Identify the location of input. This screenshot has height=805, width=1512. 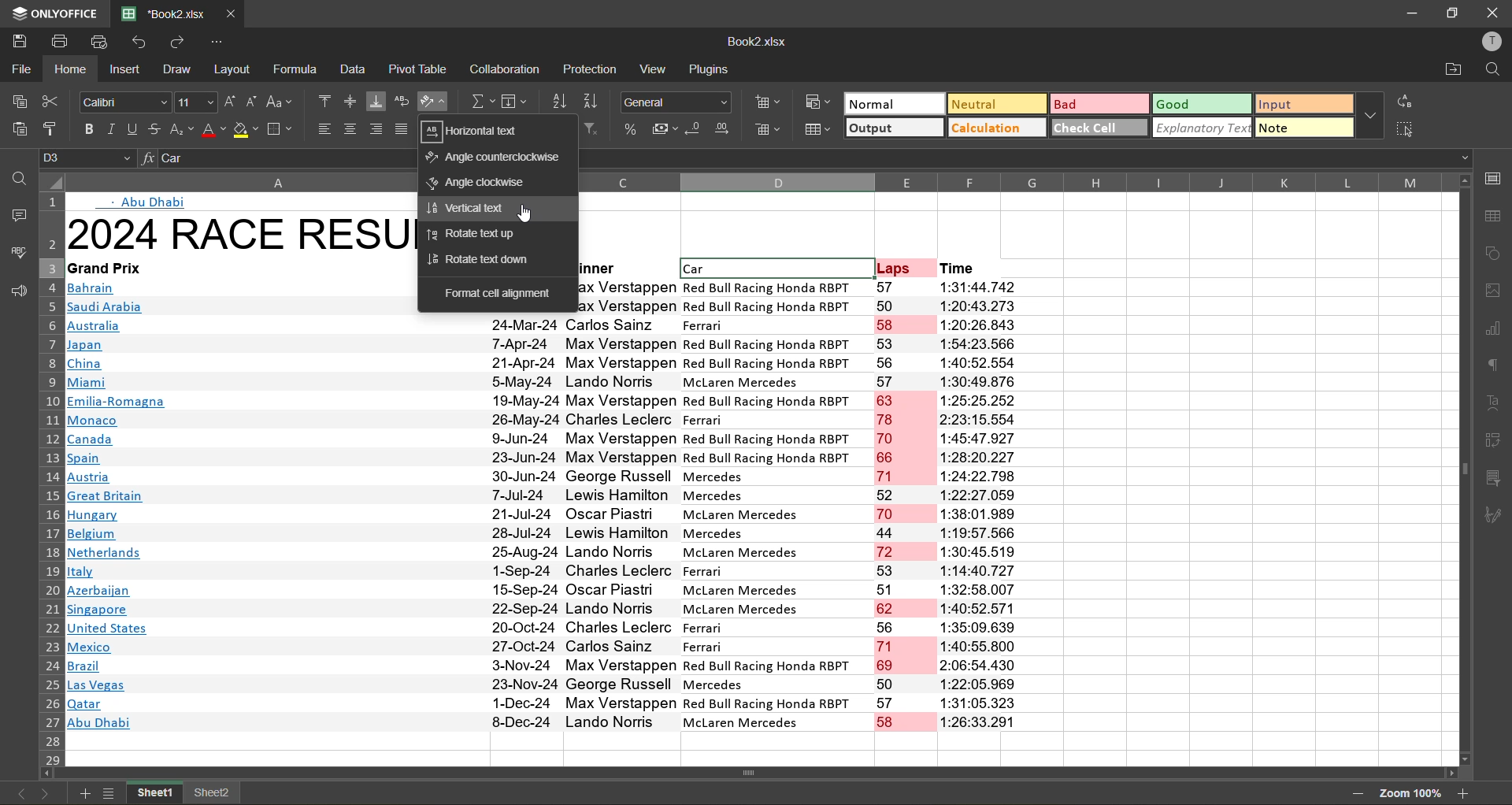
(1304, 106).